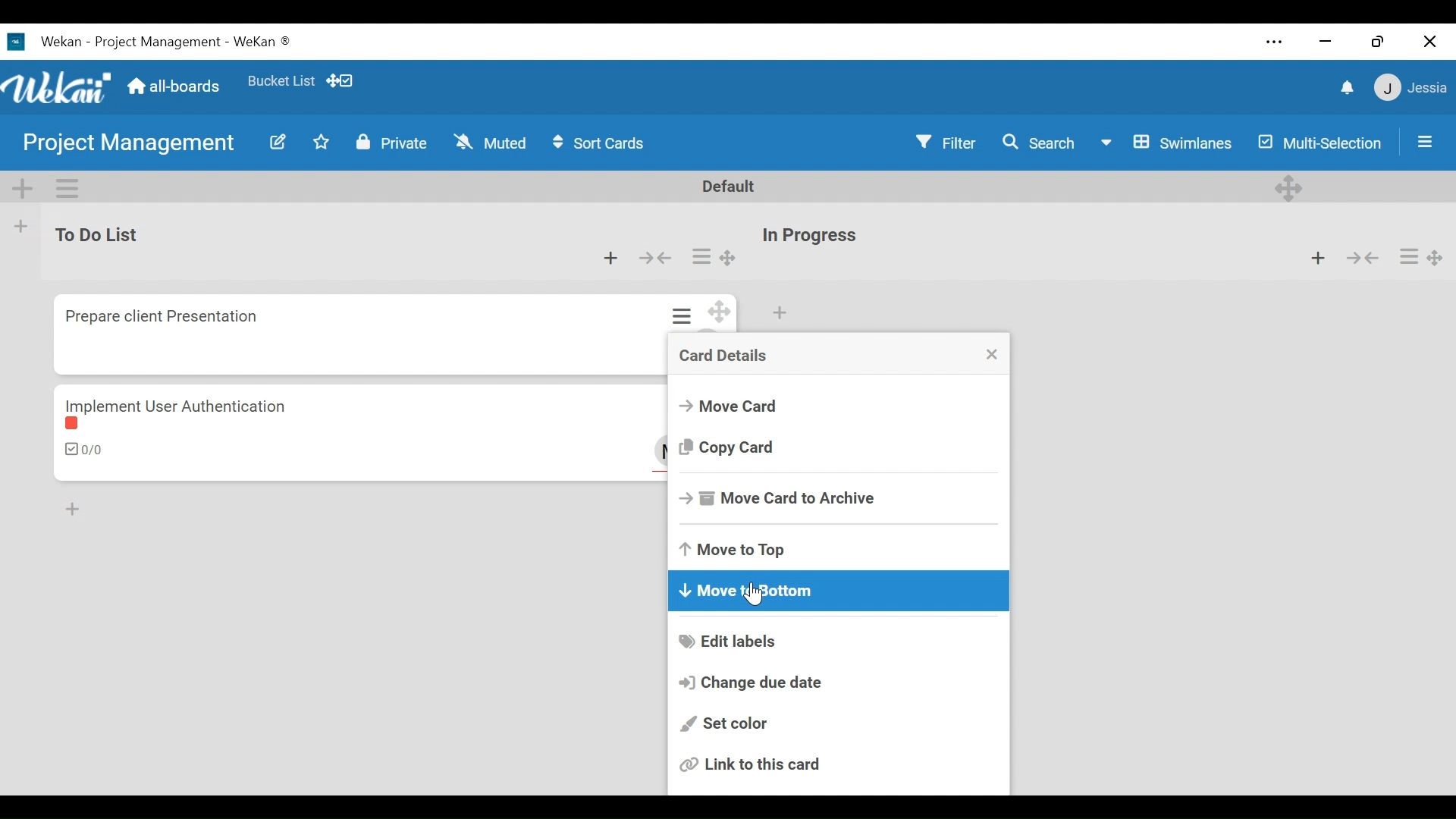 The image size is (1456, 819). Describe the element at coordinates (736, 551) in the screenshot. I see `Move to Top` at that location.